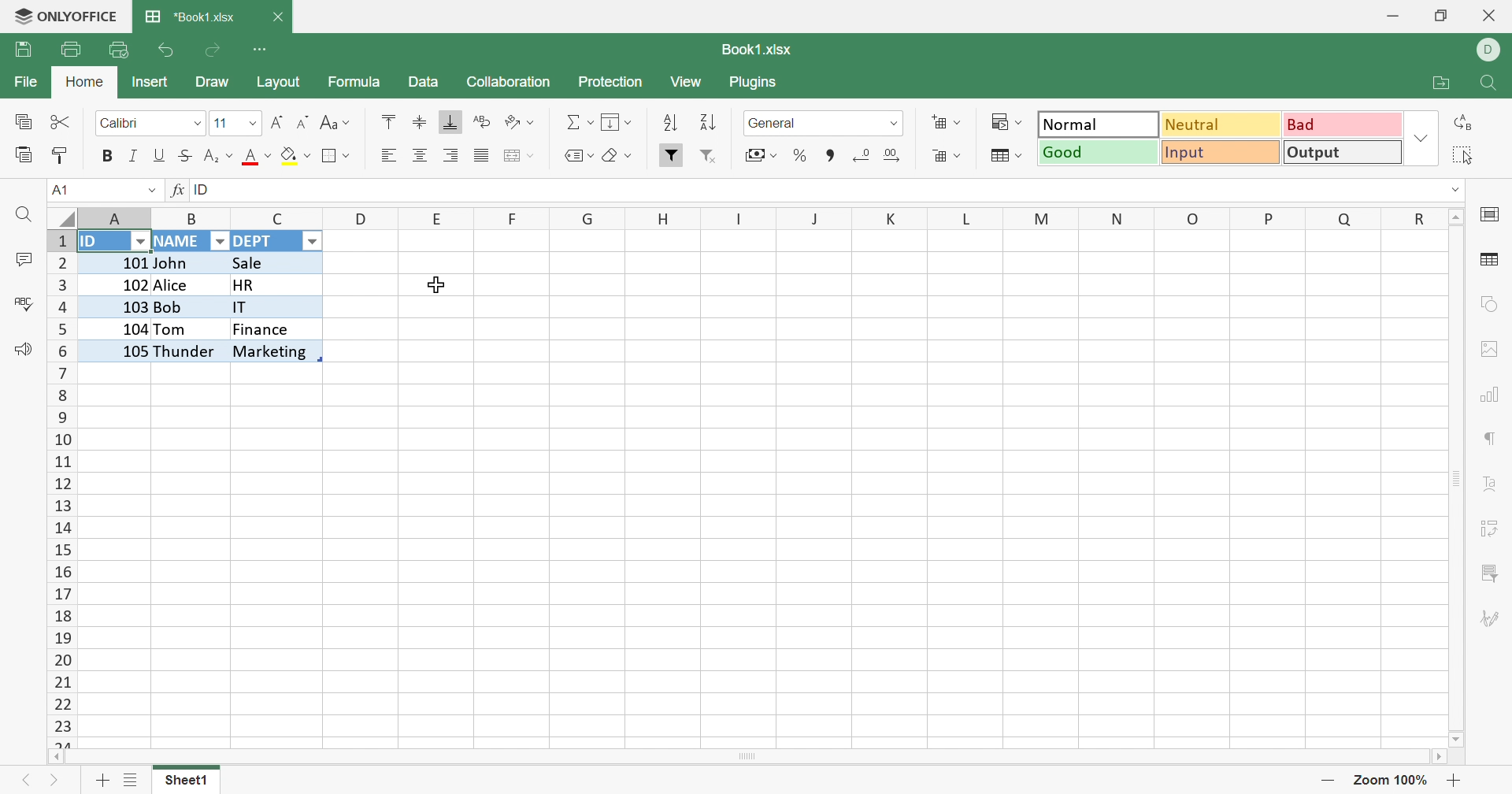 This screenshot has height=794, width=1512. Describe the element at coordinates (117, 350) in the screenshot. I see `105` at that location.